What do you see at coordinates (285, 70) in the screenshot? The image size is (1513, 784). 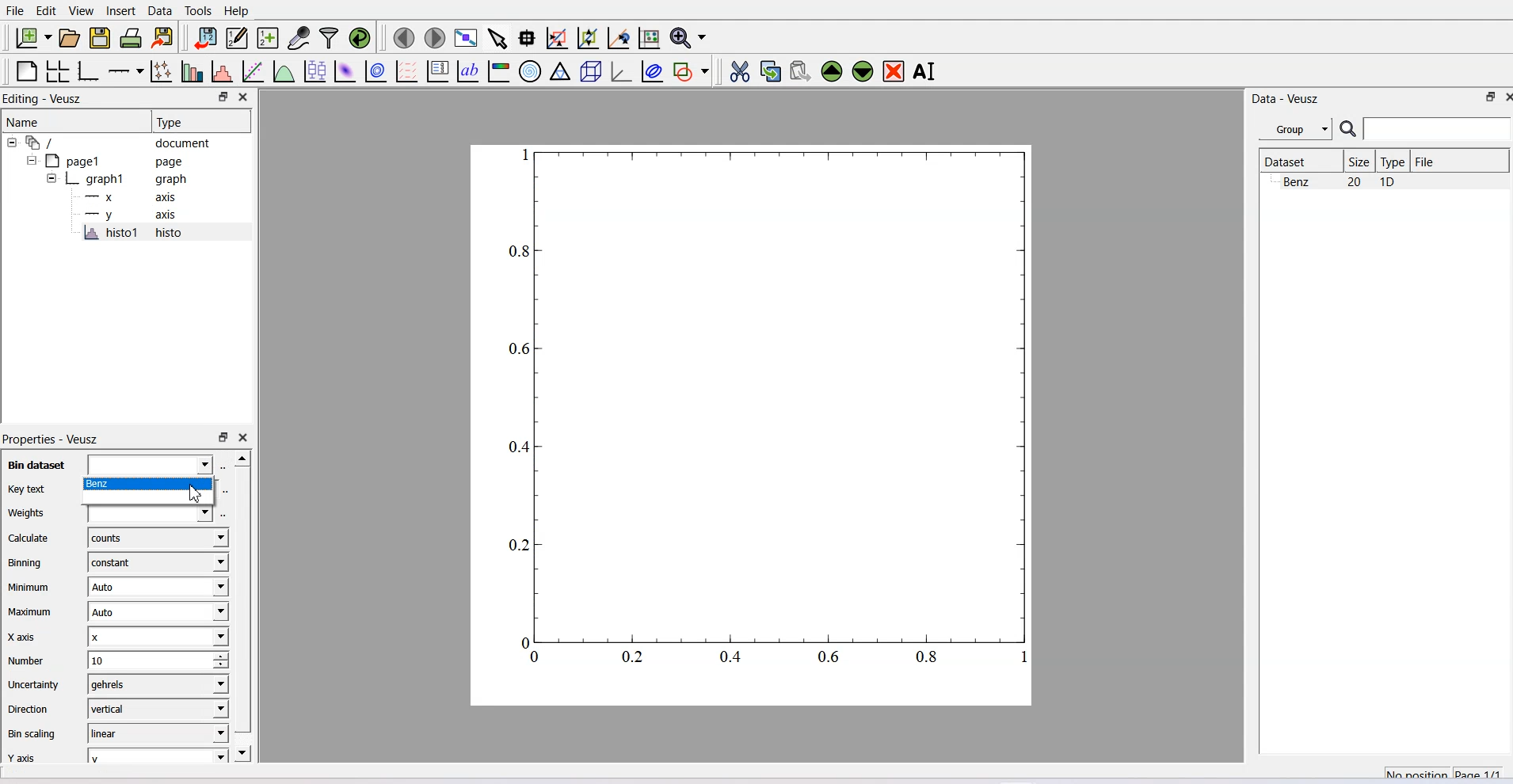 I see `Plot a function` at bounding box center [285, 70].